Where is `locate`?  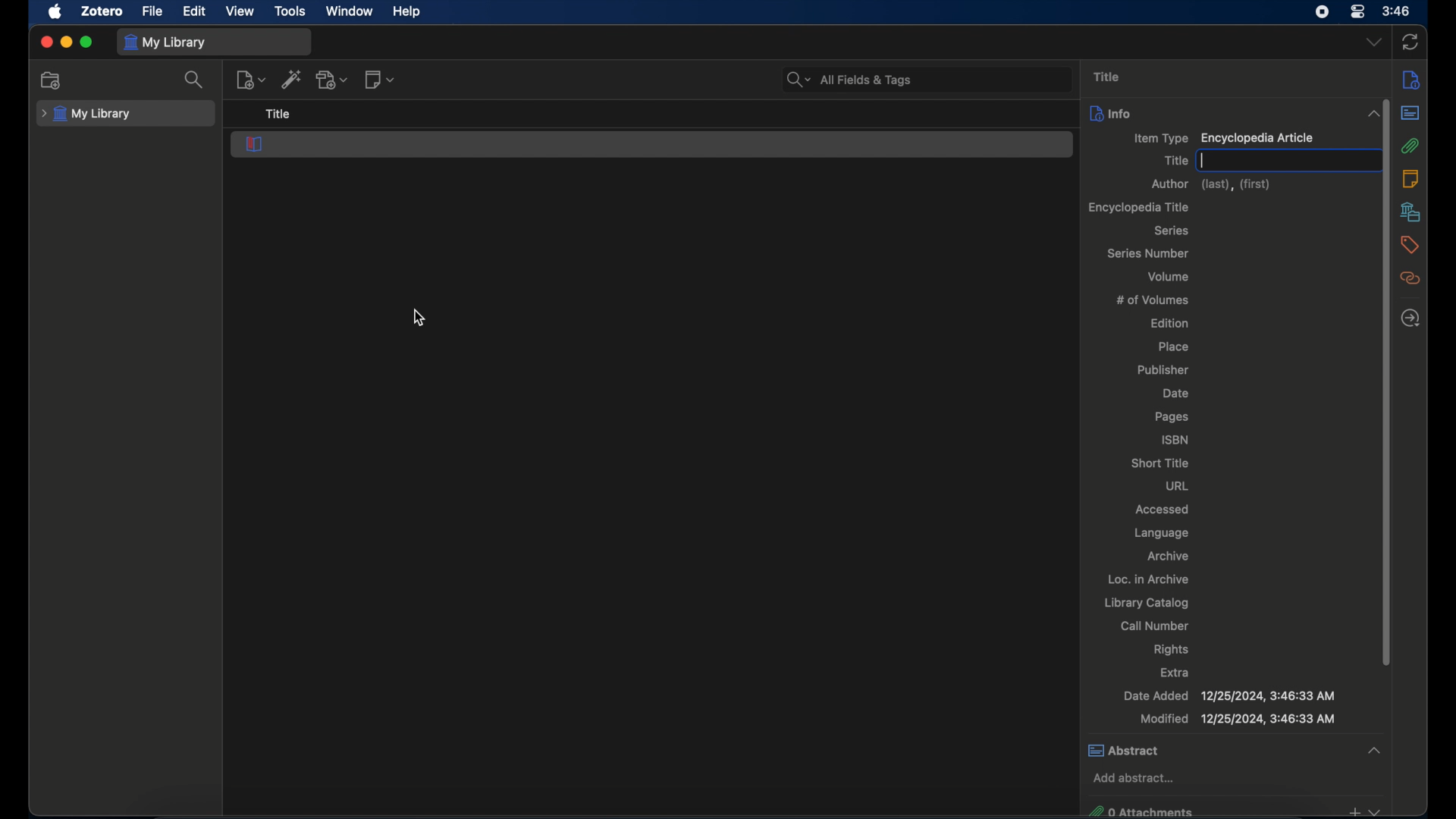 locate is located at coordinates (1410, 319).